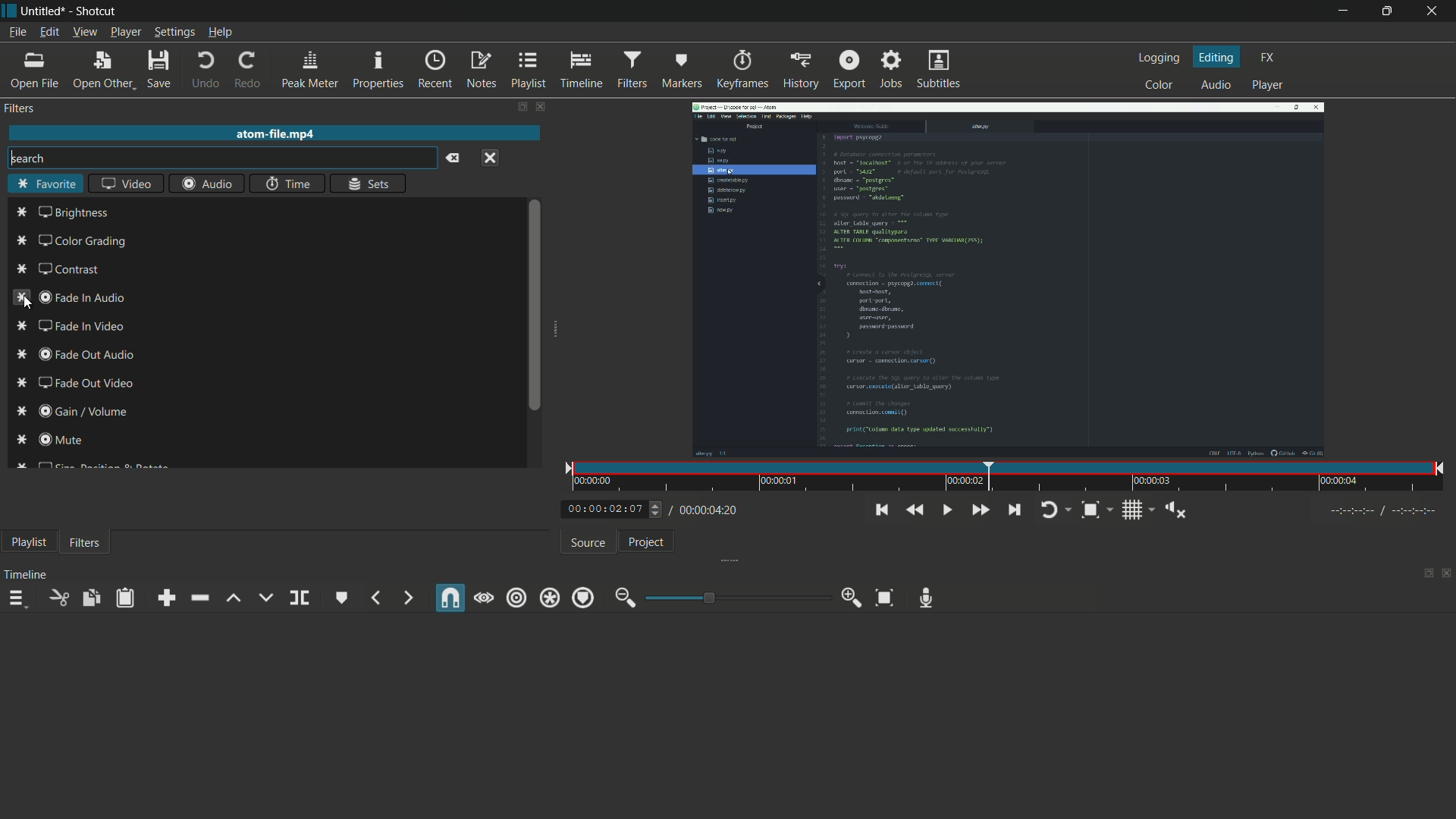 The image size is (1456, 819). What do you see at coordinates (206, 185) in the screenshot?
I see `audio` at bounding box center [206, 185].